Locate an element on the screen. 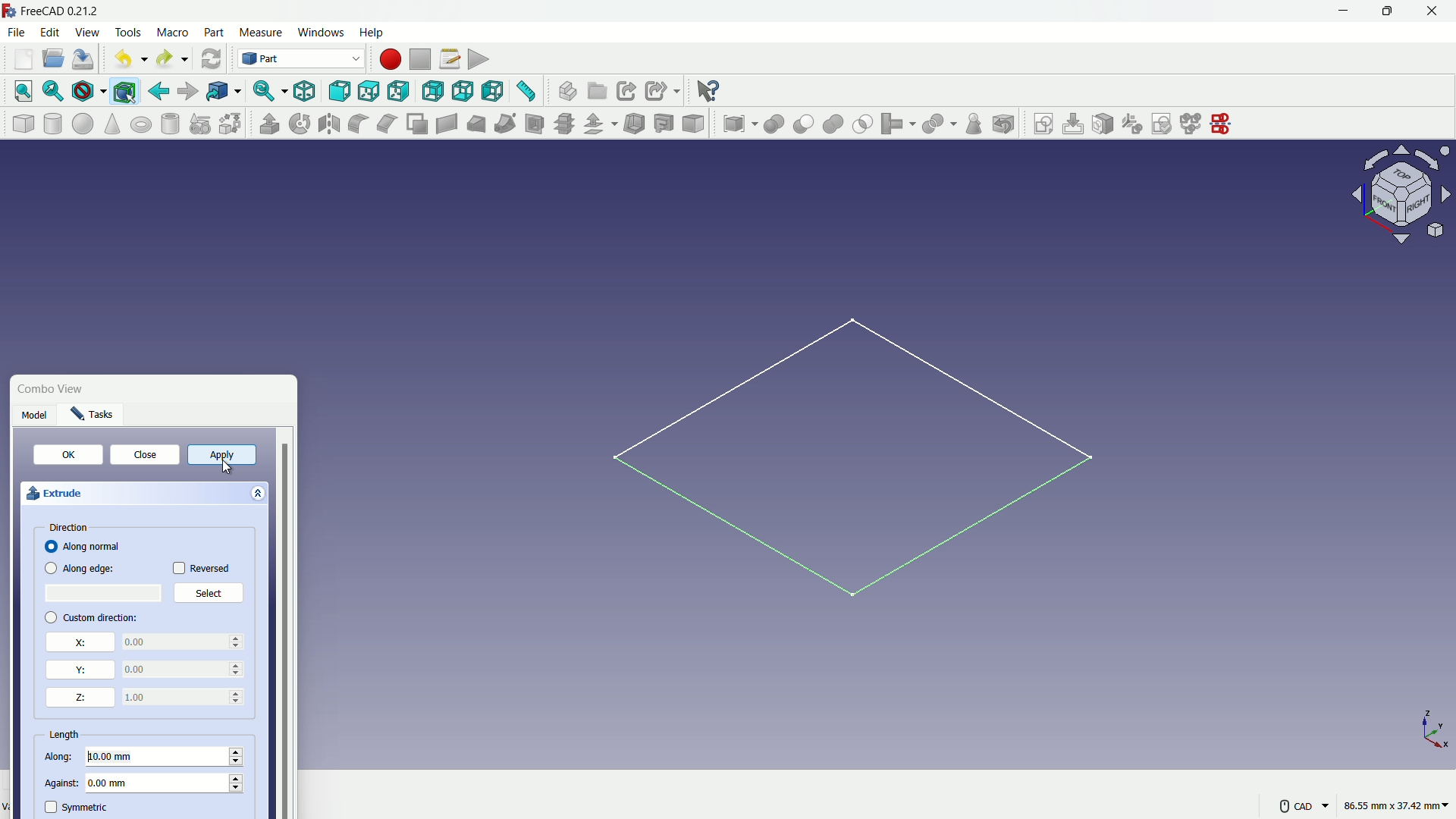  union is located at coordinates (834, 125).